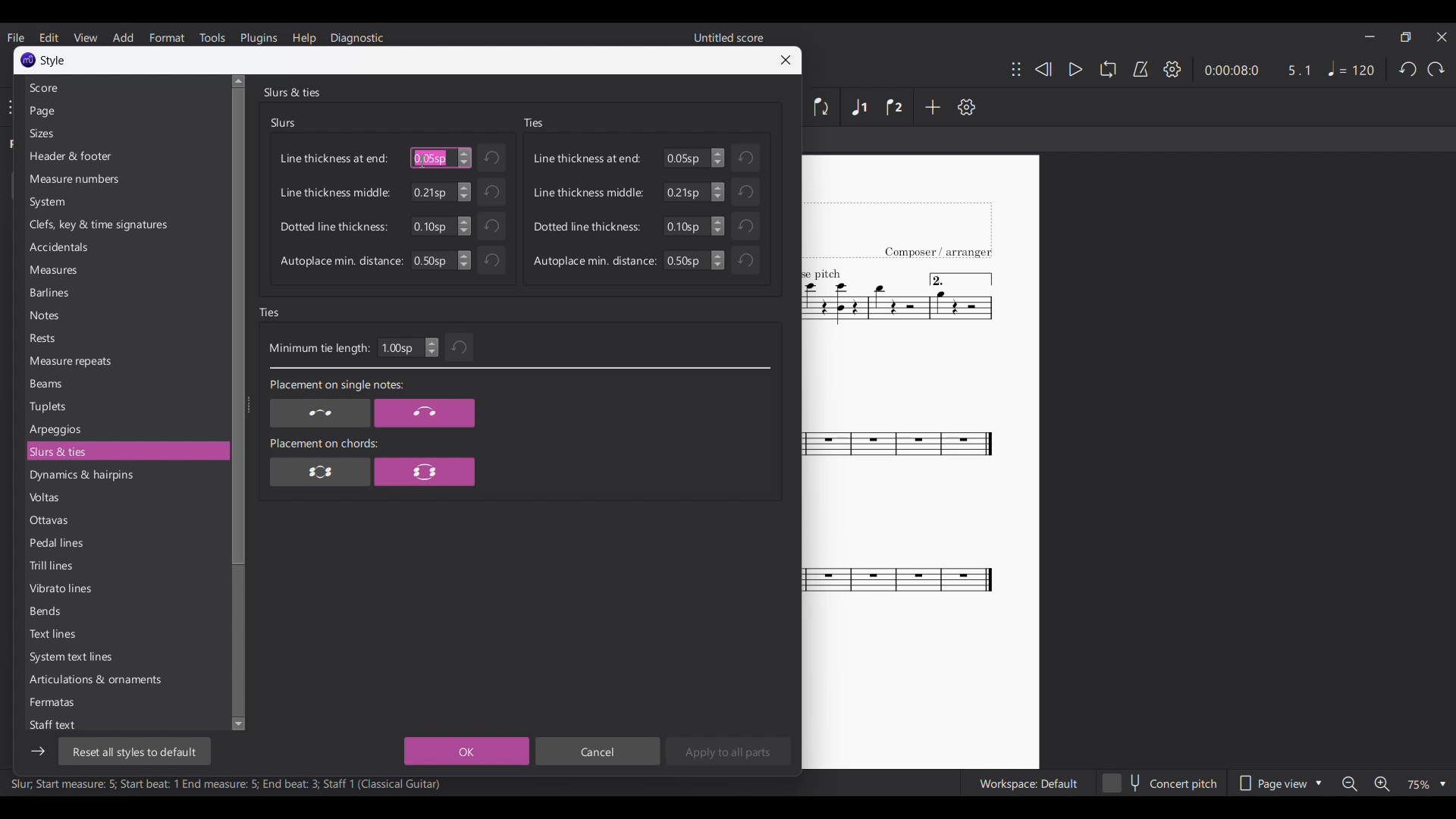 Image resolution: width=1456 pixels, height=819 pixels. I want to click on Dynamics & hairpins, so click(125, 475).